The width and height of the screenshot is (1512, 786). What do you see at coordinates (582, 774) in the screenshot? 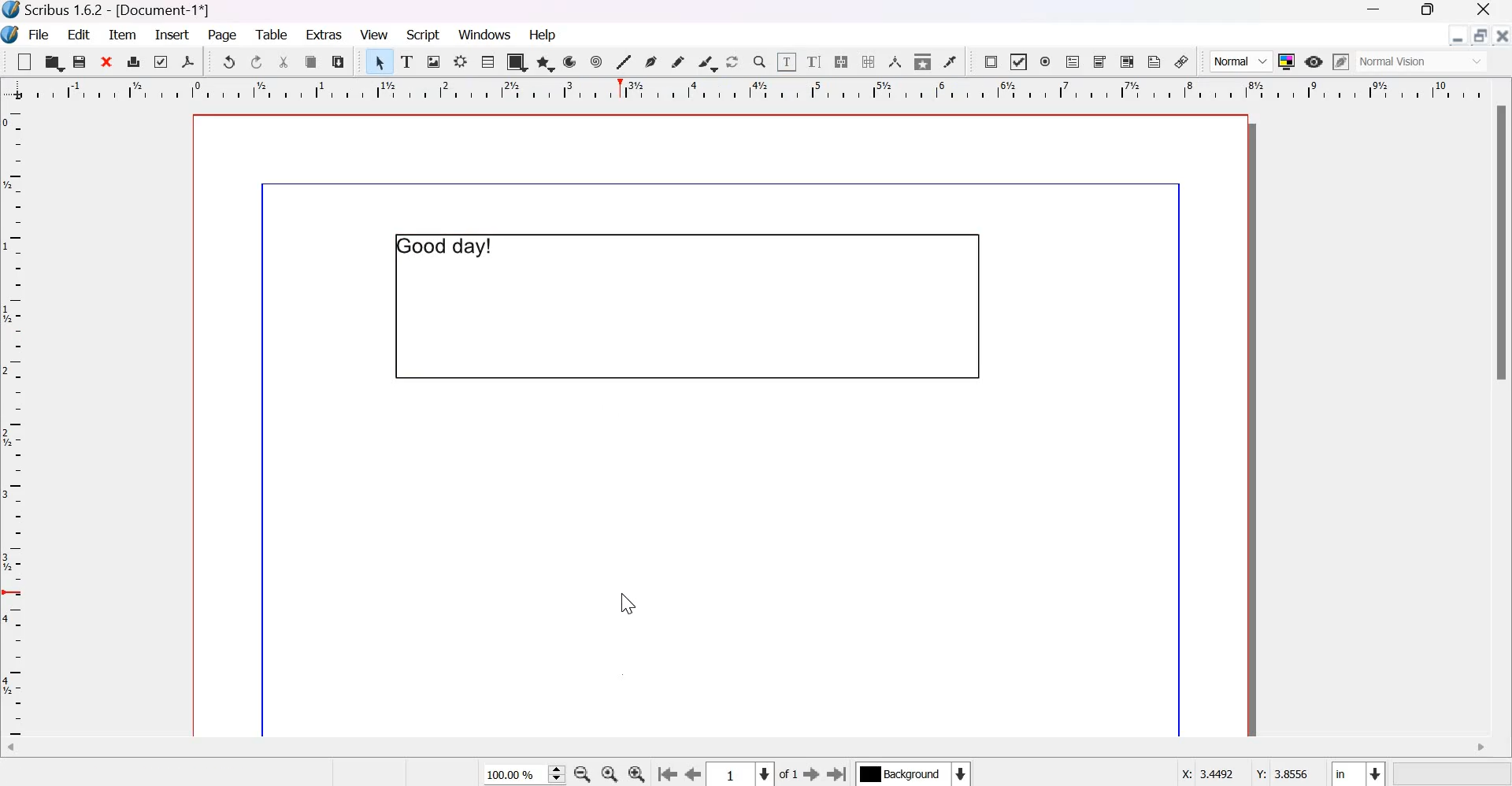
I see `zoom out` at bounding box center [582, 774].